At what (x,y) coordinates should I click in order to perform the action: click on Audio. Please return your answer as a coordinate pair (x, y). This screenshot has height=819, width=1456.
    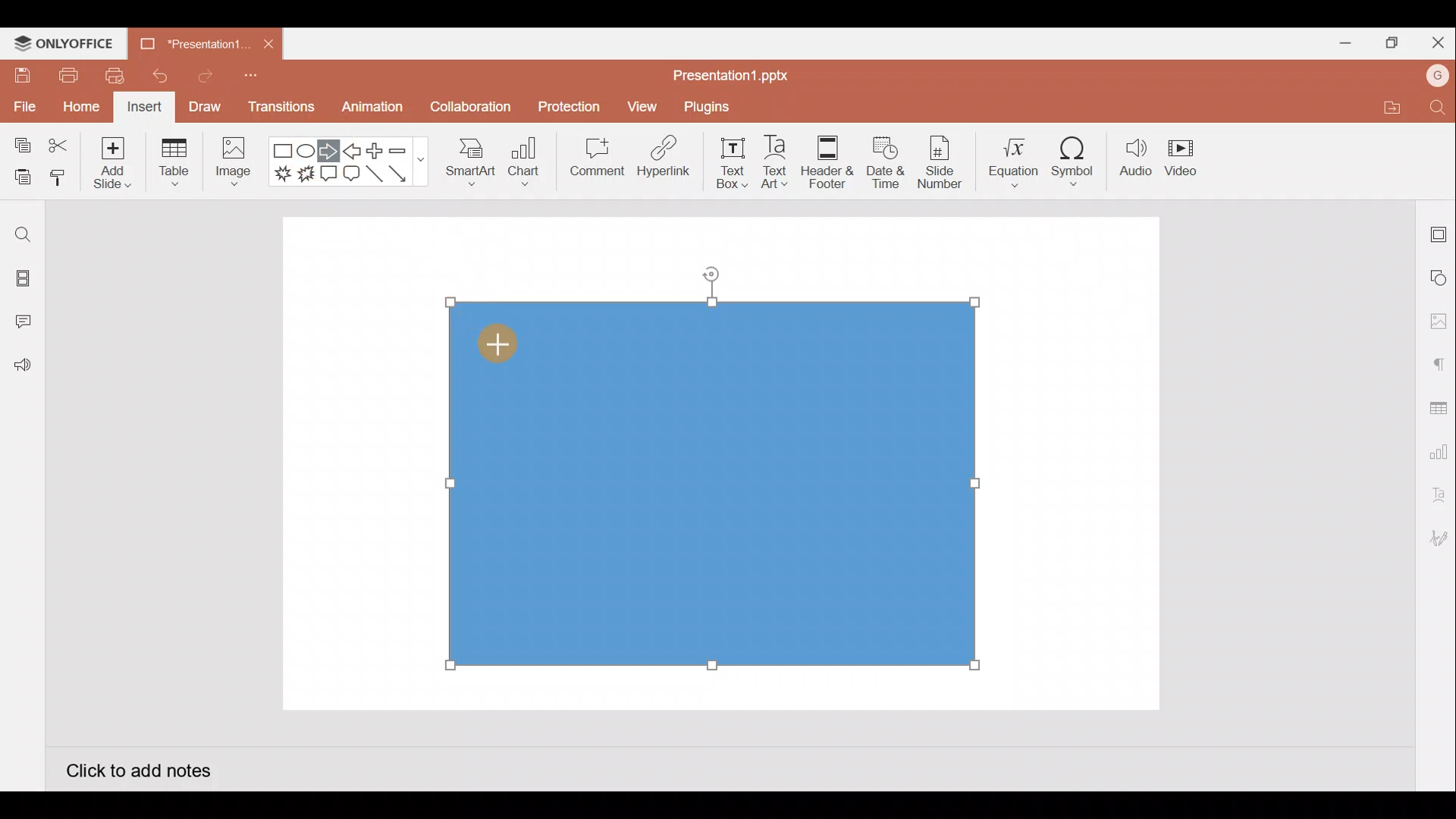
    Looking at the image, I should click on (1136, 158).